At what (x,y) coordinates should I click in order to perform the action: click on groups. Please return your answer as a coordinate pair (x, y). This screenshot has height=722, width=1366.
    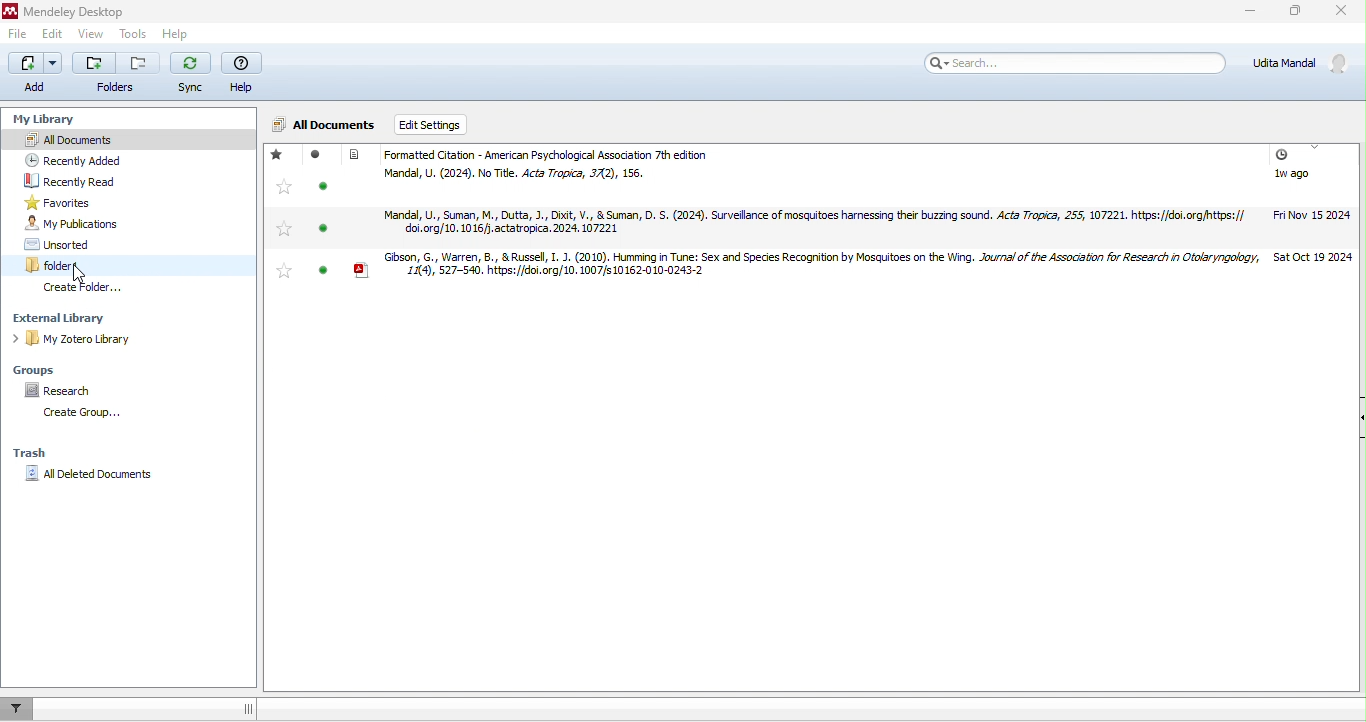
    Looking at the image, I should click on (61, 370).